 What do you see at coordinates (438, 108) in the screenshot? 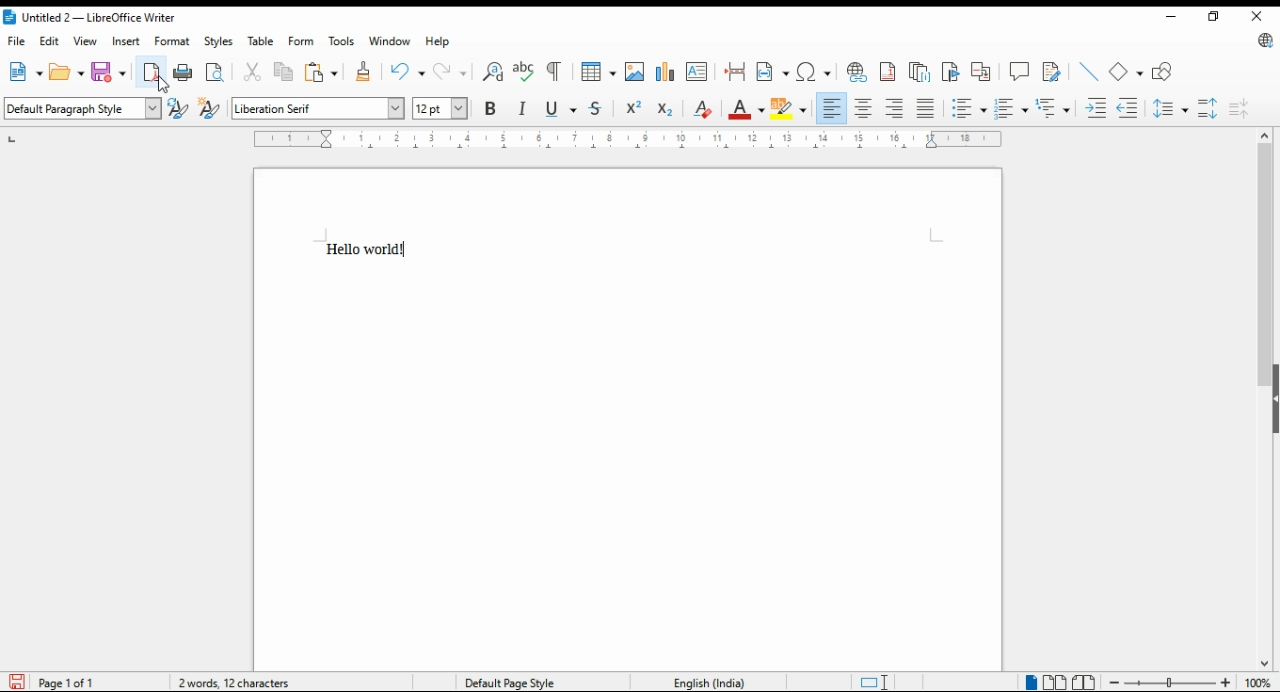
I see `font size` at bounding box center [438, 108].